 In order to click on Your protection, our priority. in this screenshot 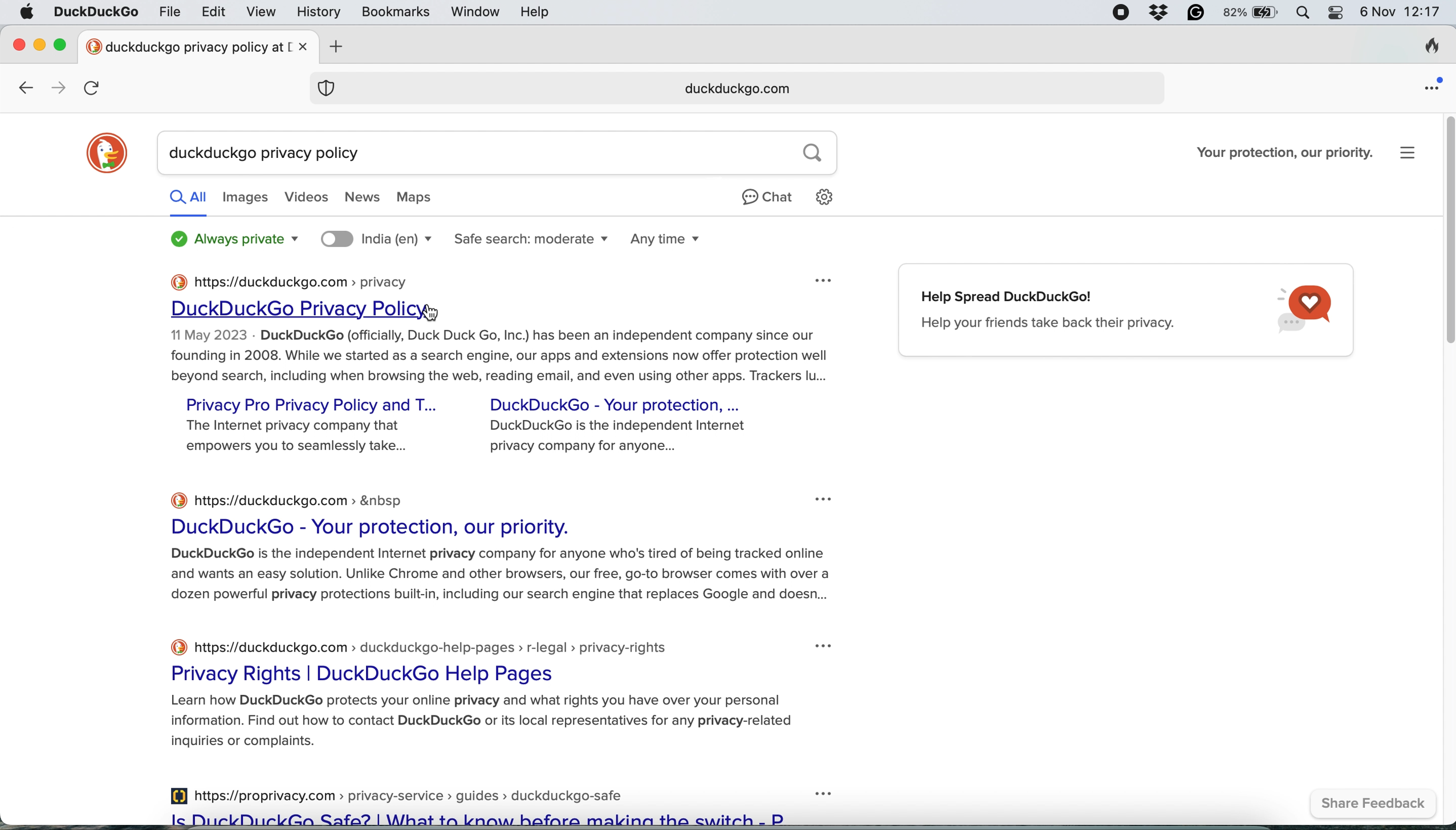, I will do `click(1284, 152)`.